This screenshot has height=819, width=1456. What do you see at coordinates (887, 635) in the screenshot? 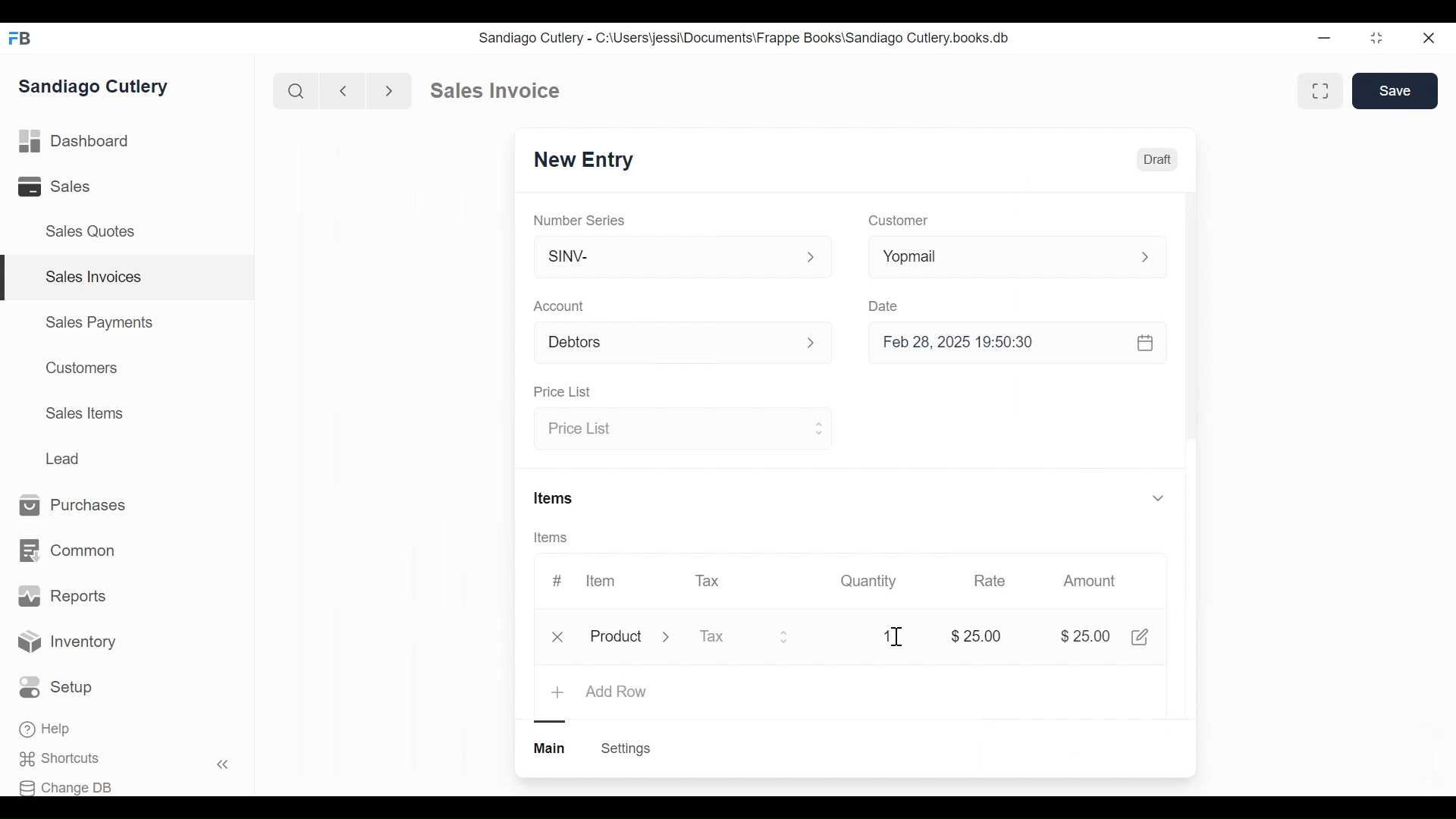
I see `1 ` at bounding box center [887, 635].